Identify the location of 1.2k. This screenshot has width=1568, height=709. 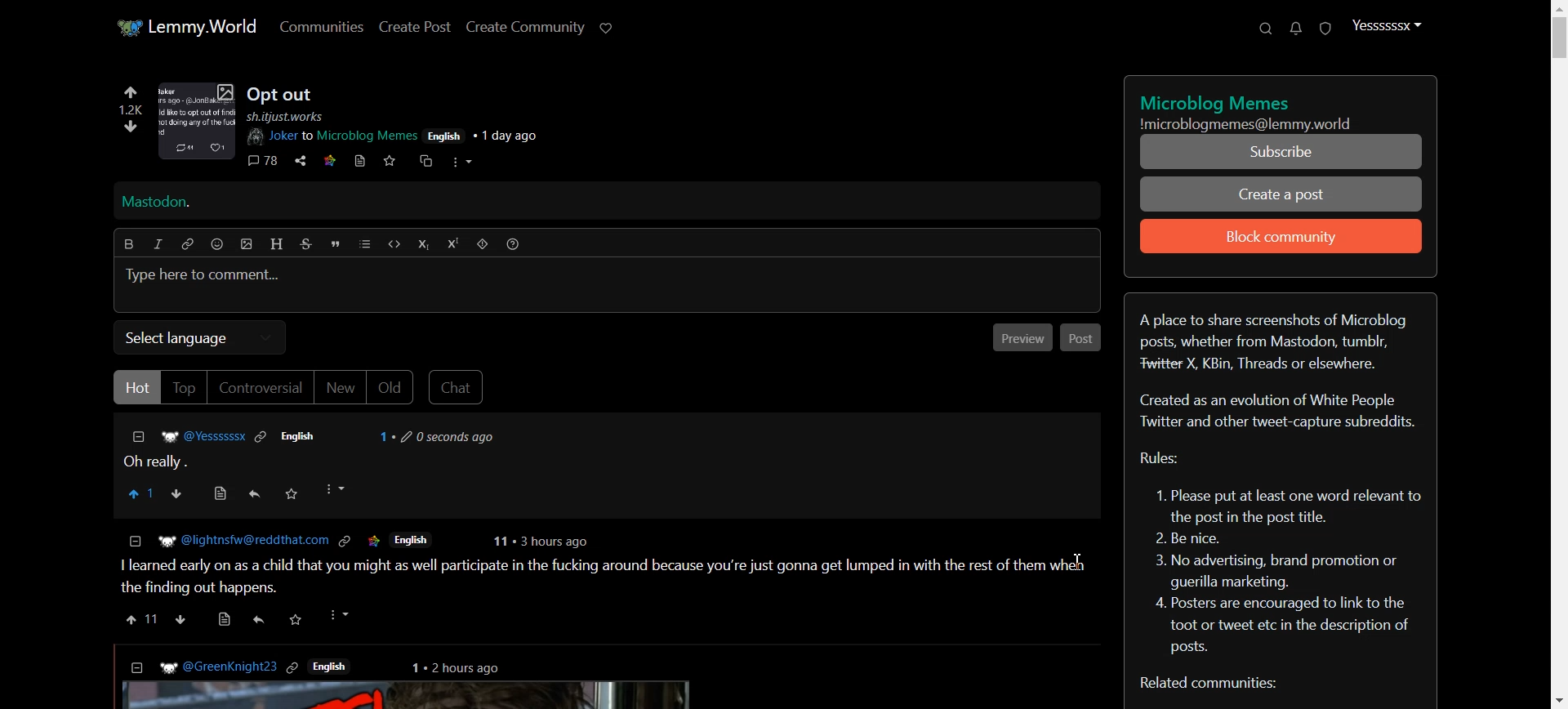
(131, 109).